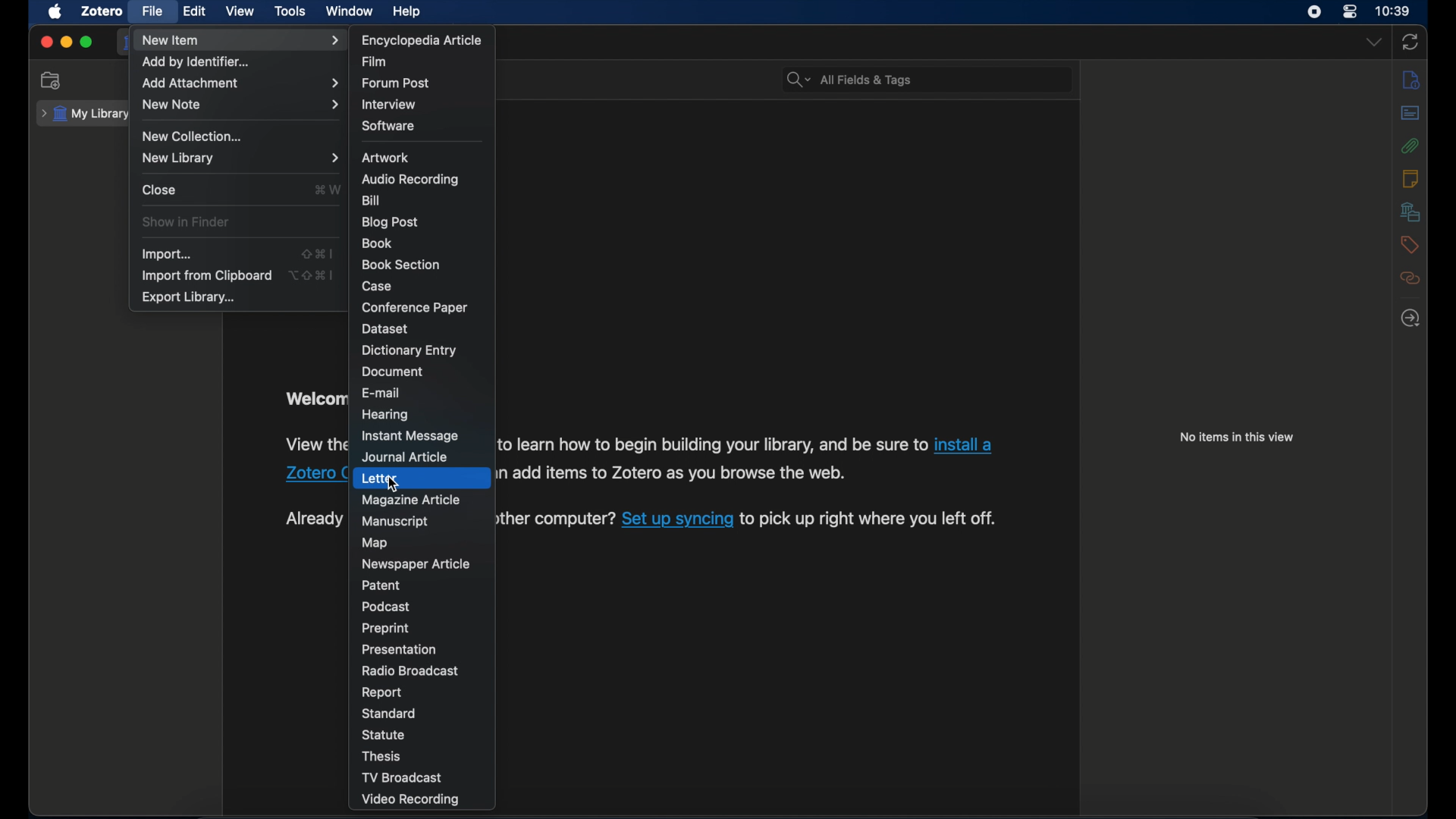 This screenshot has height=819, width=1456. Describe the element at coordinates (423, 777) in the screenshot. I see `tv broadcast` at that location.